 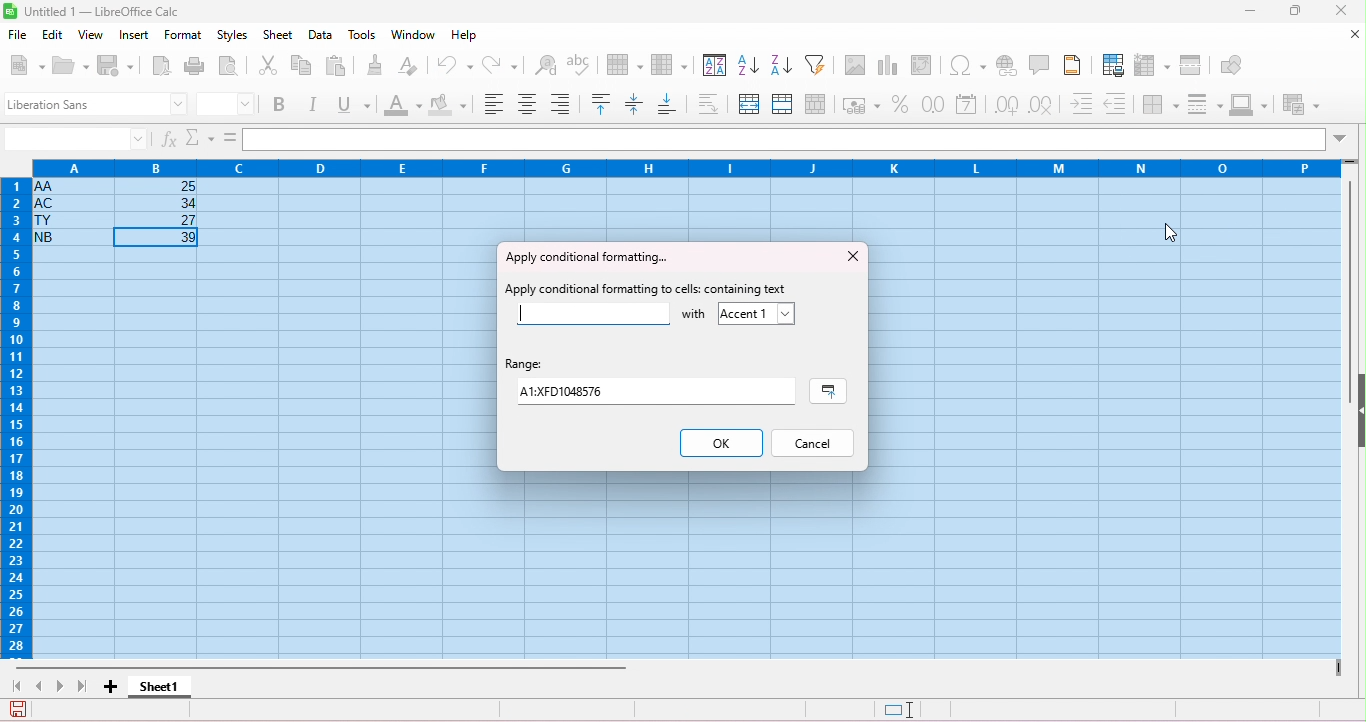 I want to click on undo, so click(x=456, y=64).